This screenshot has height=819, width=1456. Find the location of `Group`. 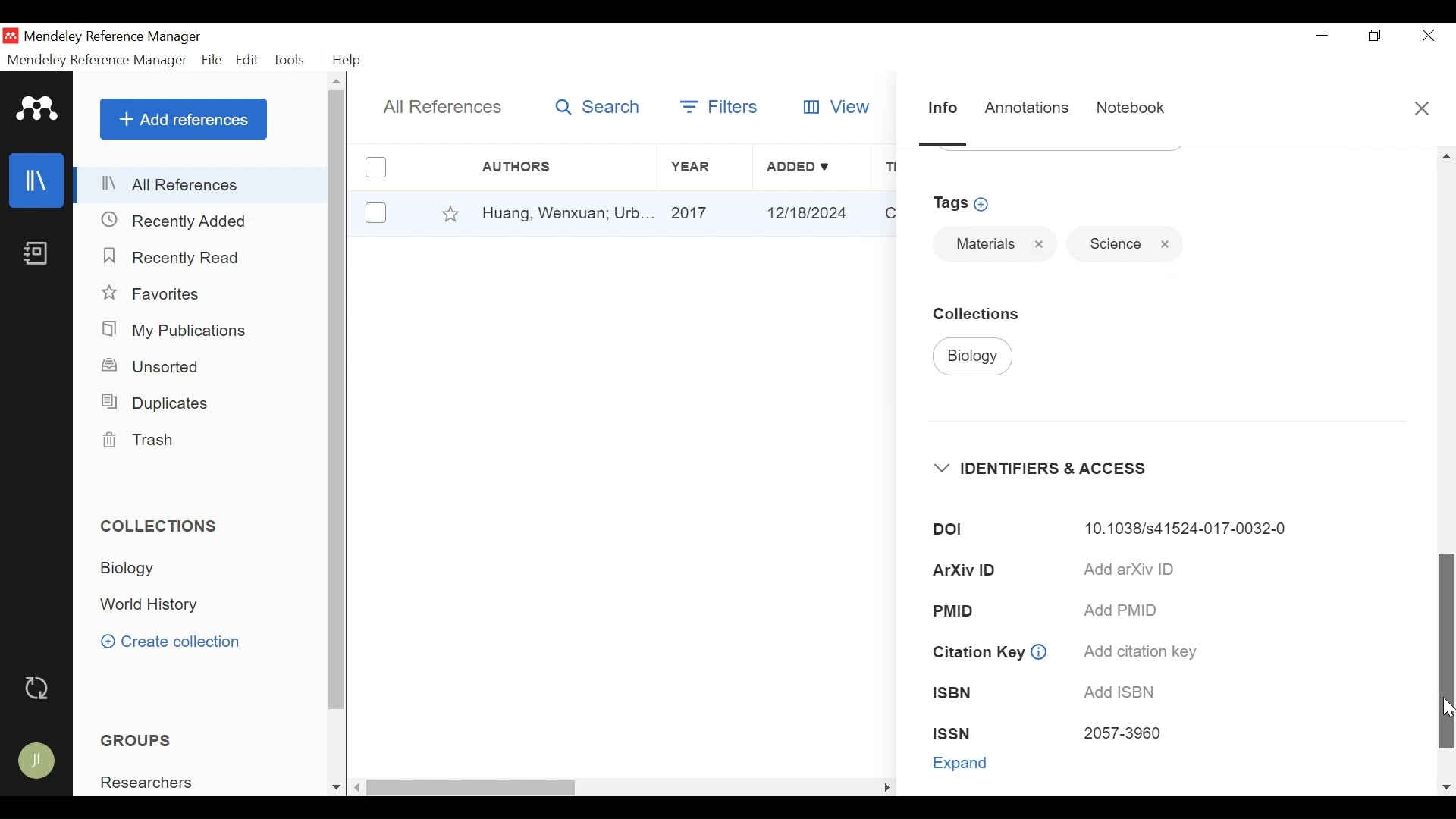

Group is located at coordinates (155, 783).